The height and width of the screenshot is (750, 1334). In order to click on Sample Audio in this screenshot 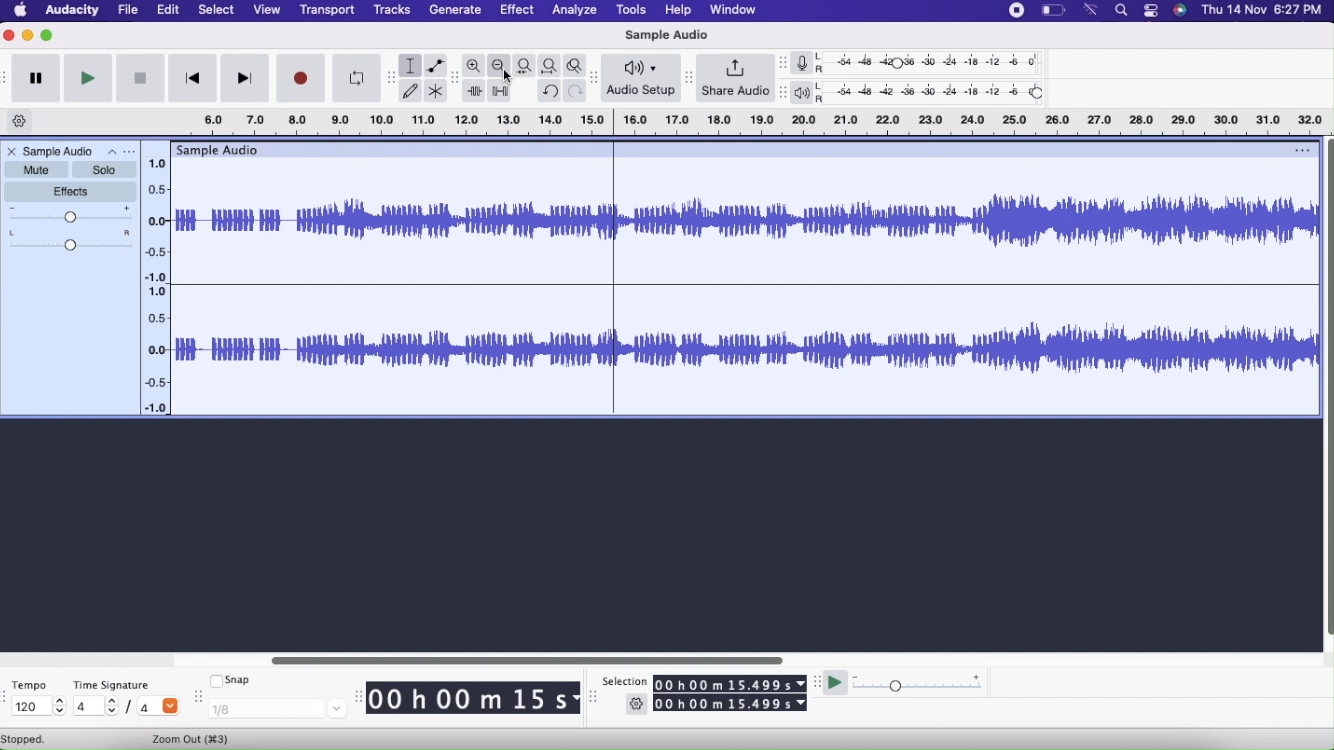, I will do `click(60, 151)`.